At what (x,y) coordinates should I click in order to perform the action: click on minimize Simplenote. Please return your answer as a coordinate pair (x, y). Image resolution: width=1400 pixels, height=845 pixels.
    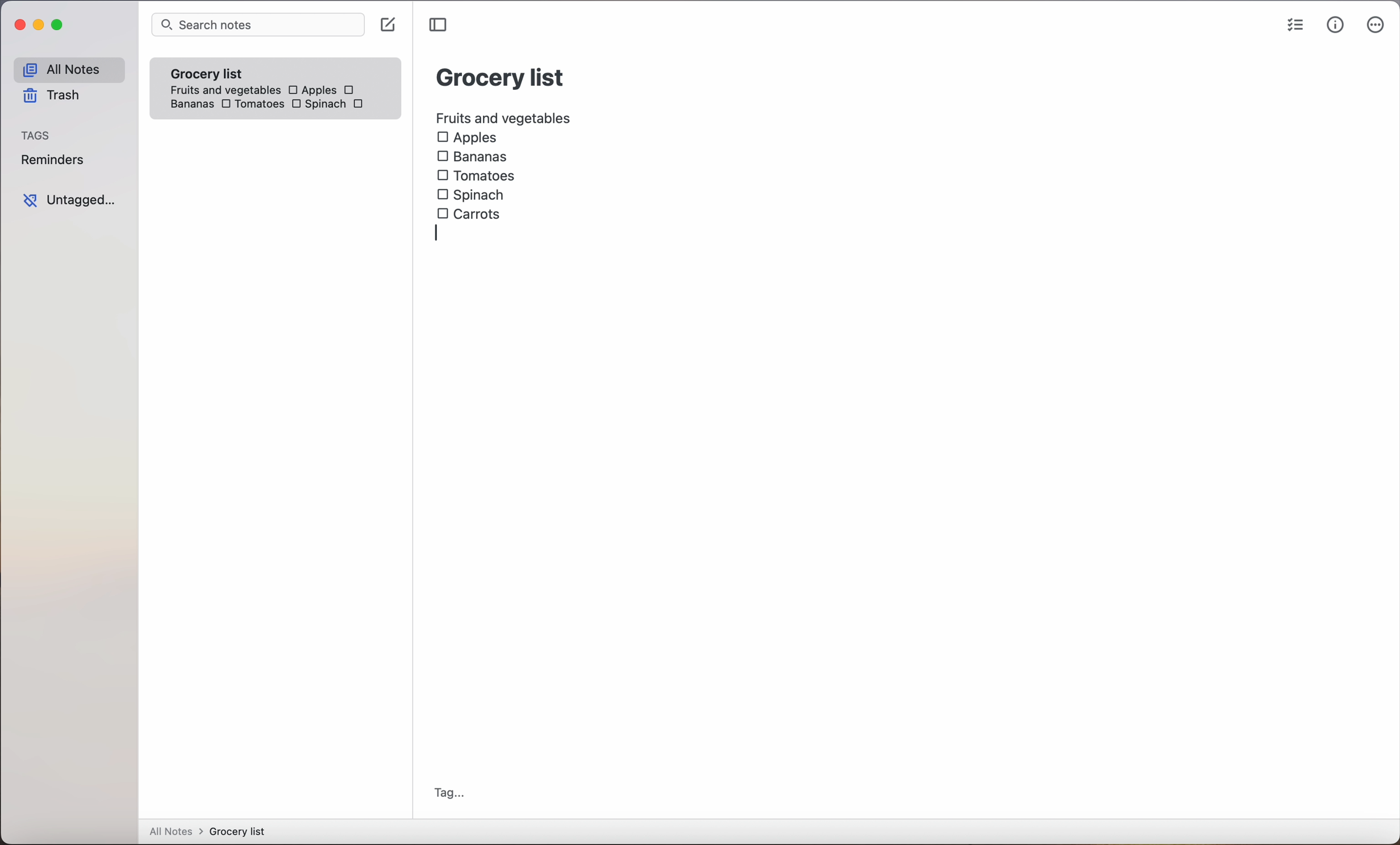
    Looking at the image, I should click on (41, 27).